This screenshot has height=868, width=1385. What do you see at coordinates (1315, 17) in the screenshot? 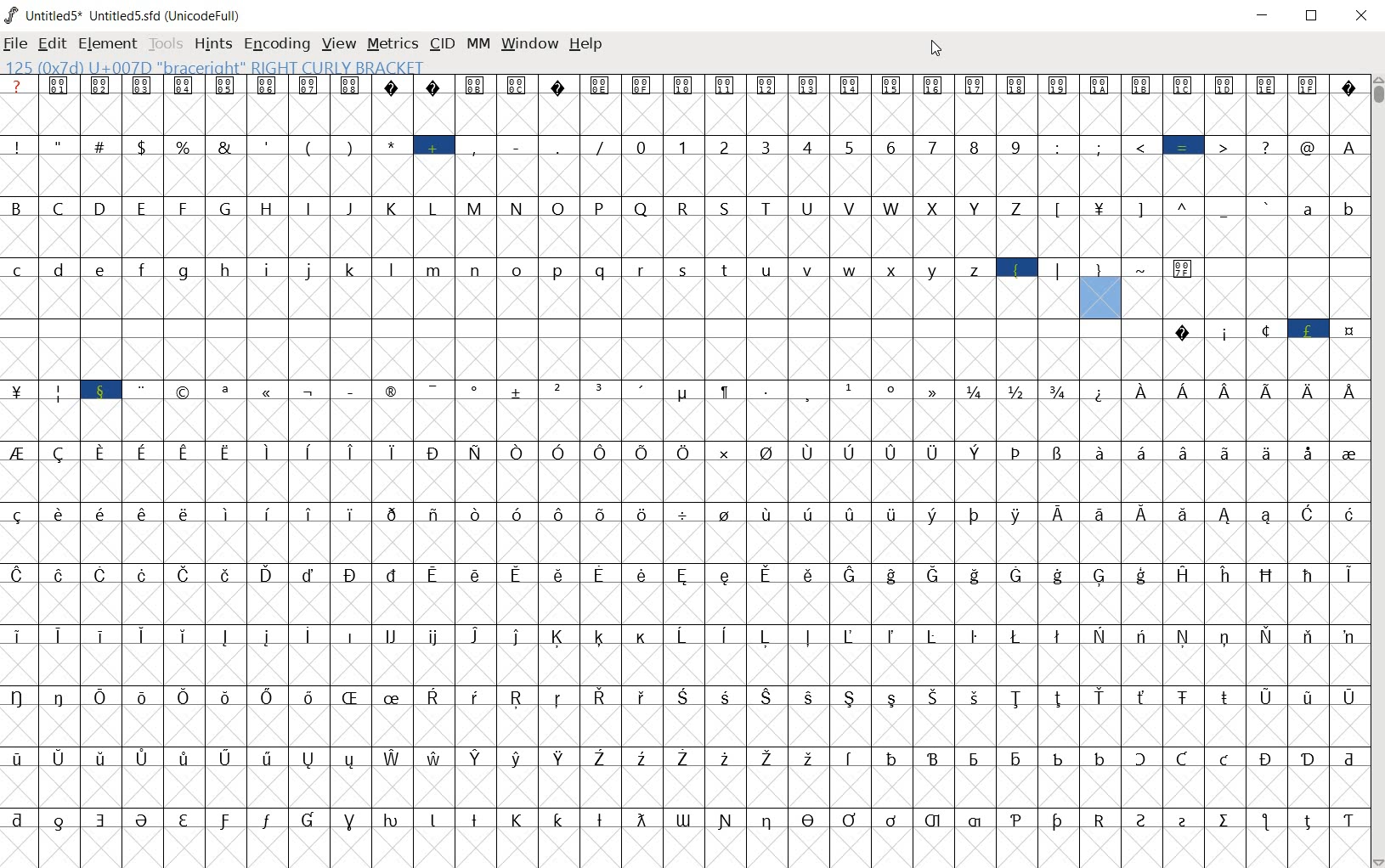
I see `RESTORE DOWN` at bounding box center [1315, 17].